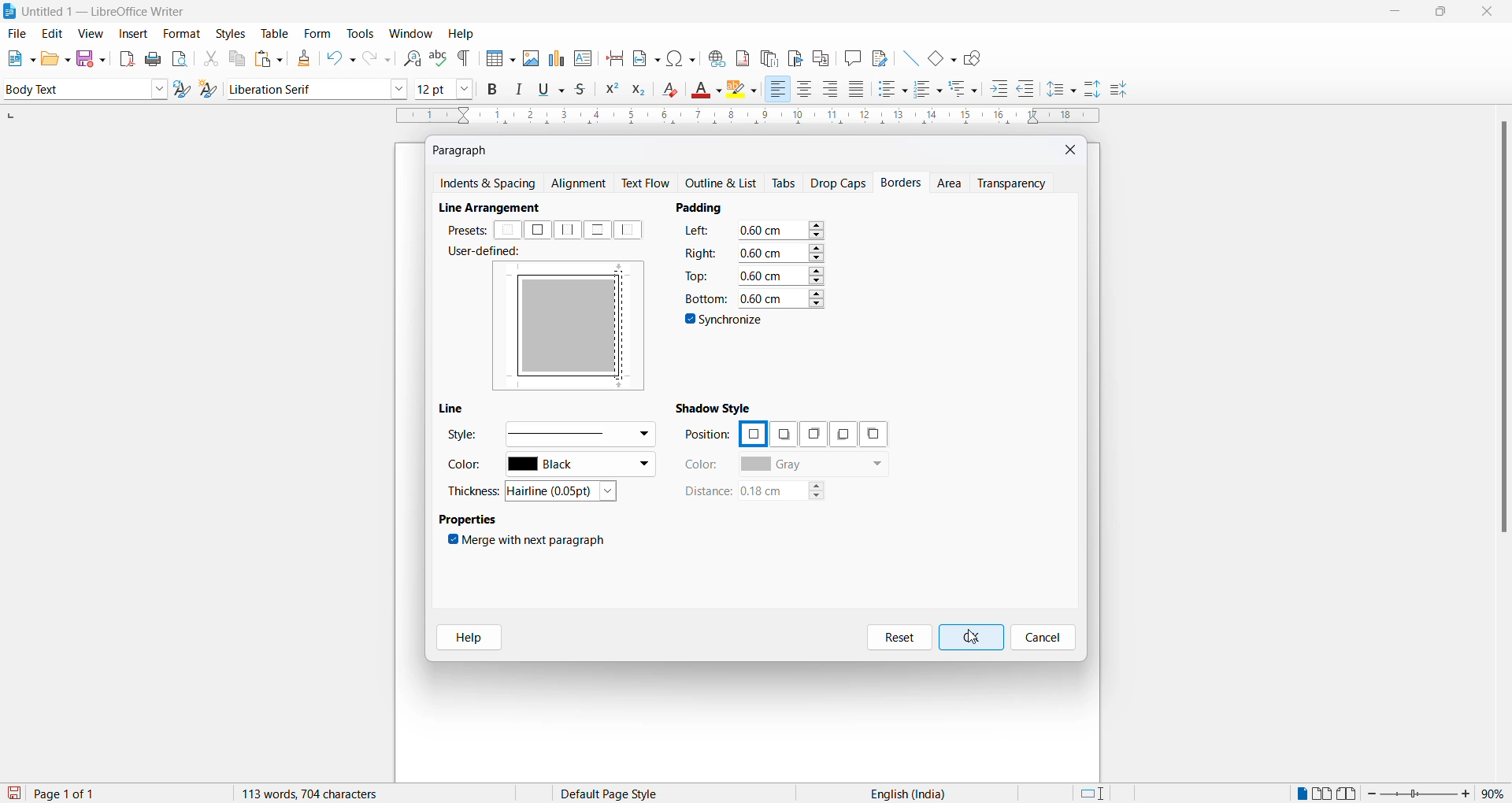 Image resolution: width=1512 pixels, height=803 pixels. I want to click on area, so click(951, 184).